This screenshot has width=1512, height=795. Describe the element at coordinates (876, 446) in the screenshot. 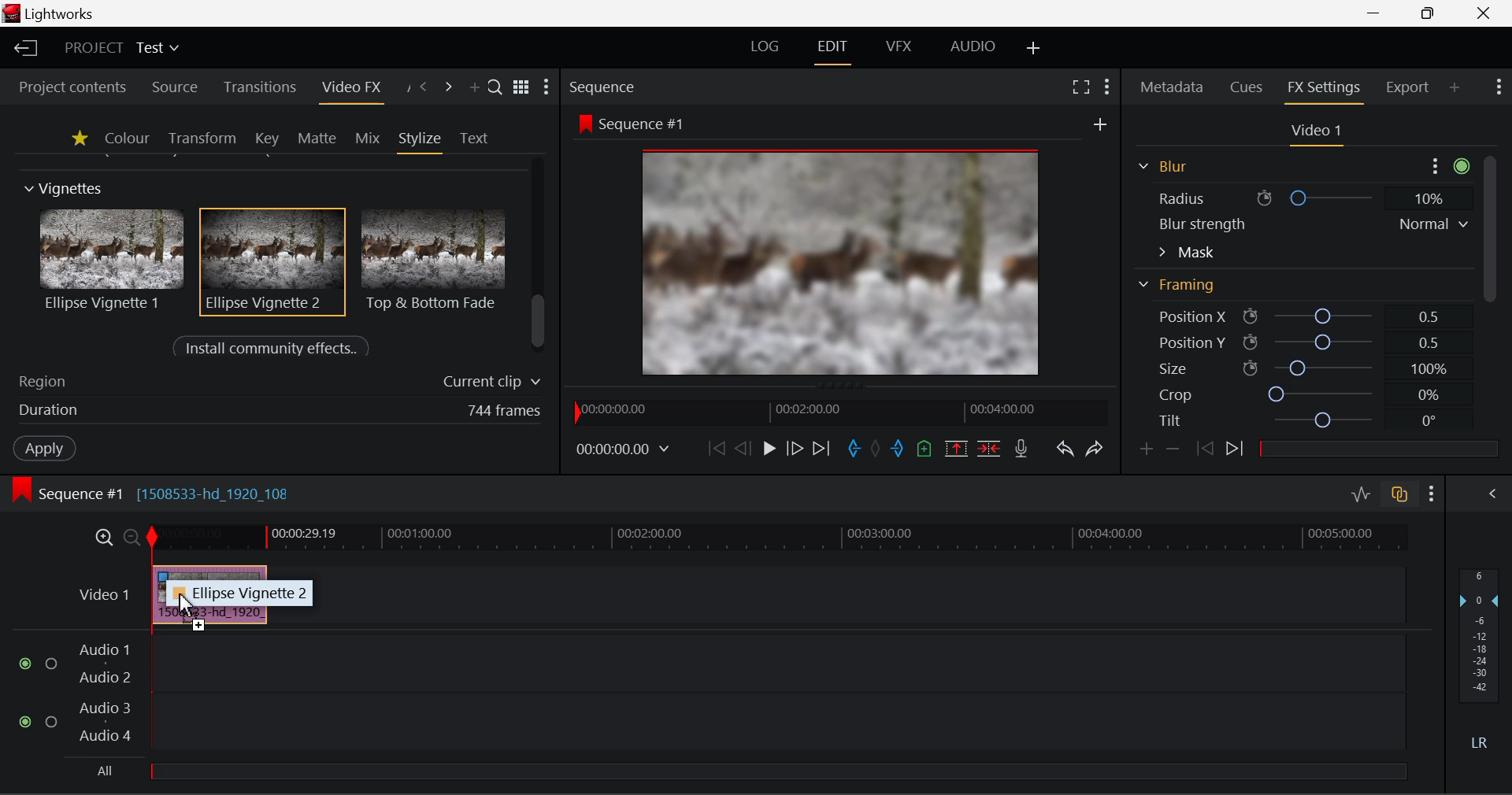

I see `Remove all marks` at that location.